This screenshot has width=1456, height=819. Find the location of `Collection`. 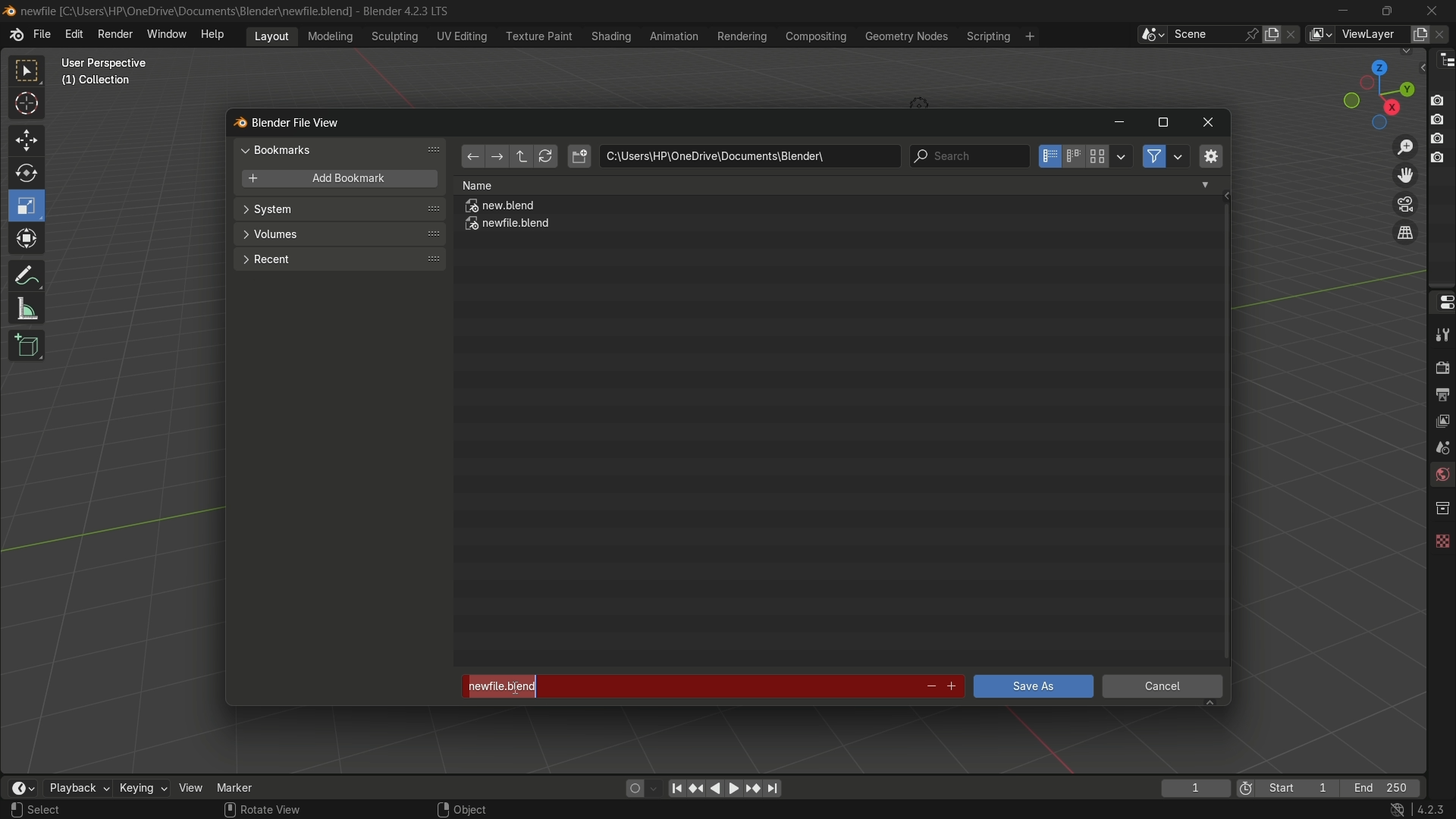

Collection is located at coordinates (99, 83).